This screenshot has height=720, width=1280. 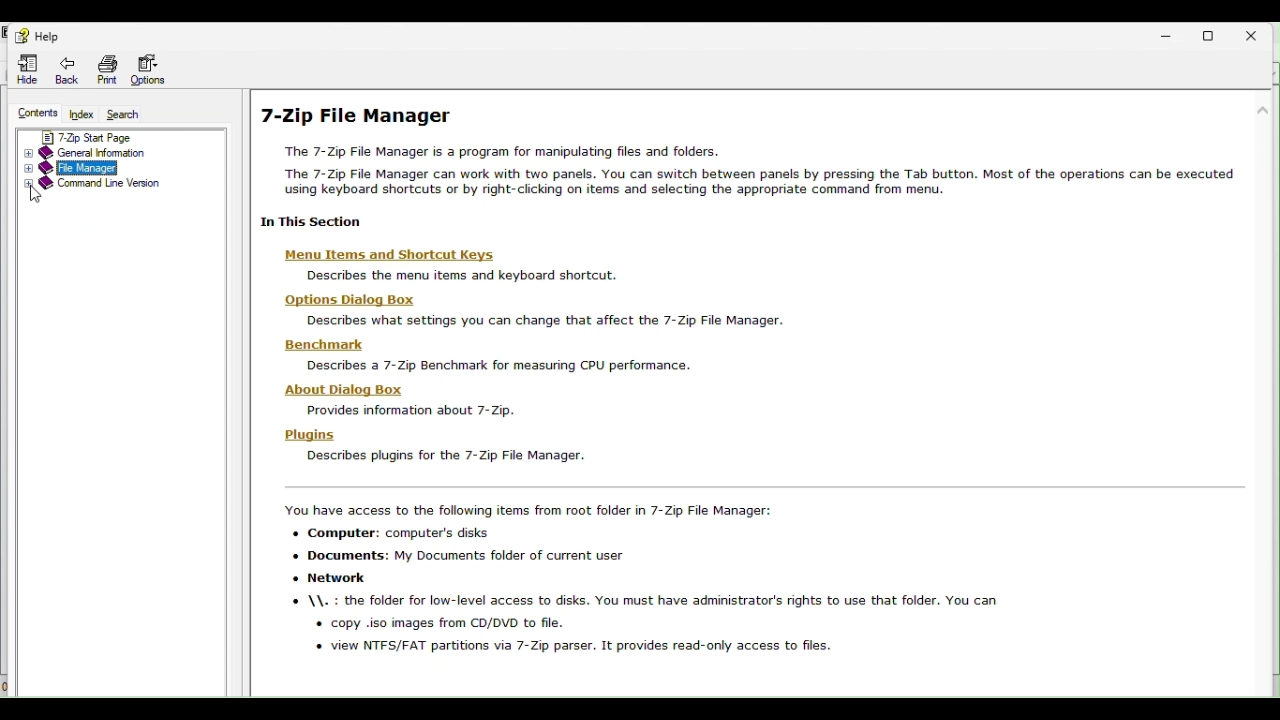 What do you see at coordinates (1259, 31) in the screenshot?
I see `Close` at bounding box center [1259, 31].